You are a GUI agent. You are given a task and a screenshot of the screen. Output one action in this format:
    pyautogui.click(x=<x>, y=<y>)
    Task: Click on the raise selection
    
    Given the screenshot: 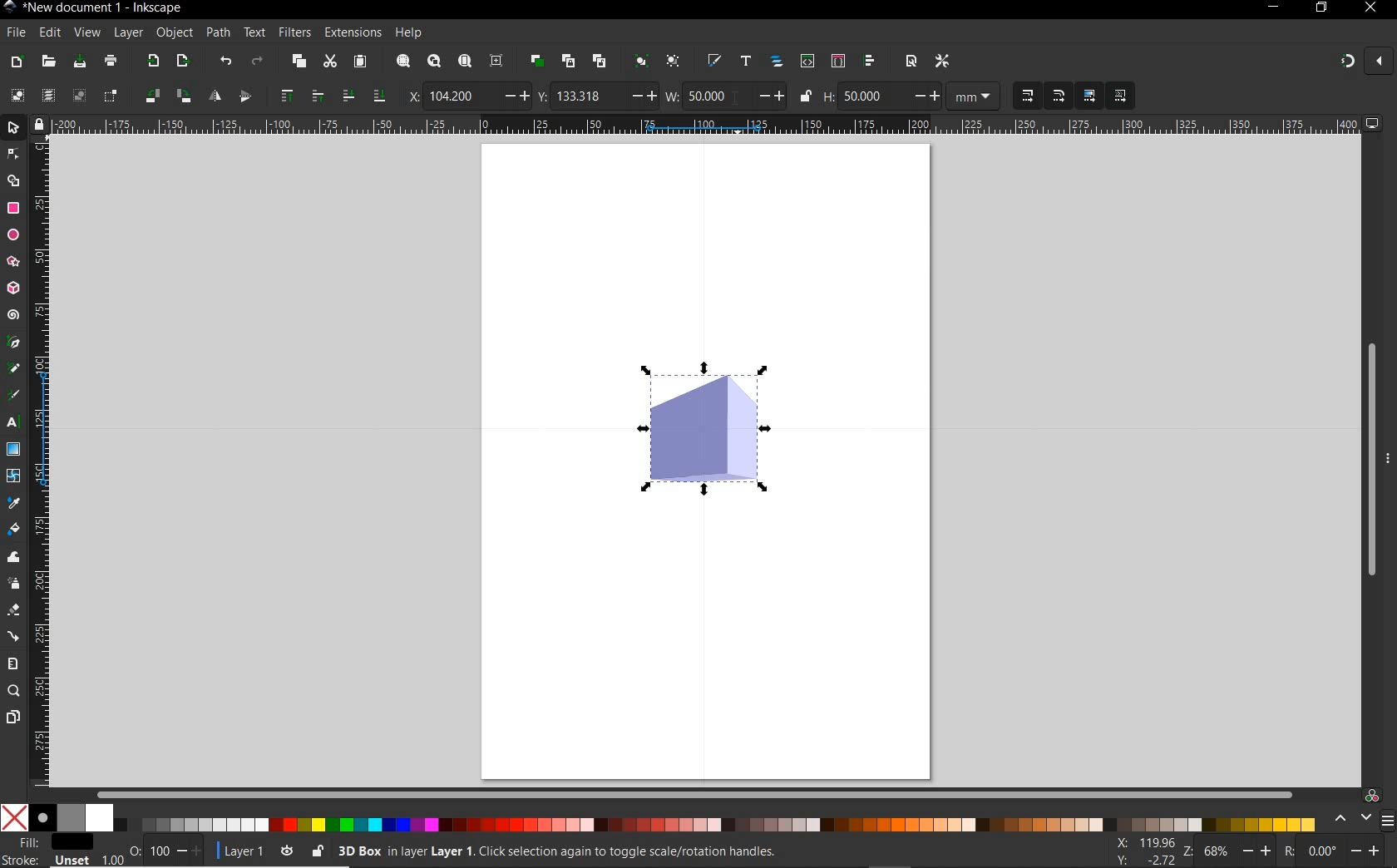 What is the action you would take?
    pyautogui.click(x=286, y=97)
    